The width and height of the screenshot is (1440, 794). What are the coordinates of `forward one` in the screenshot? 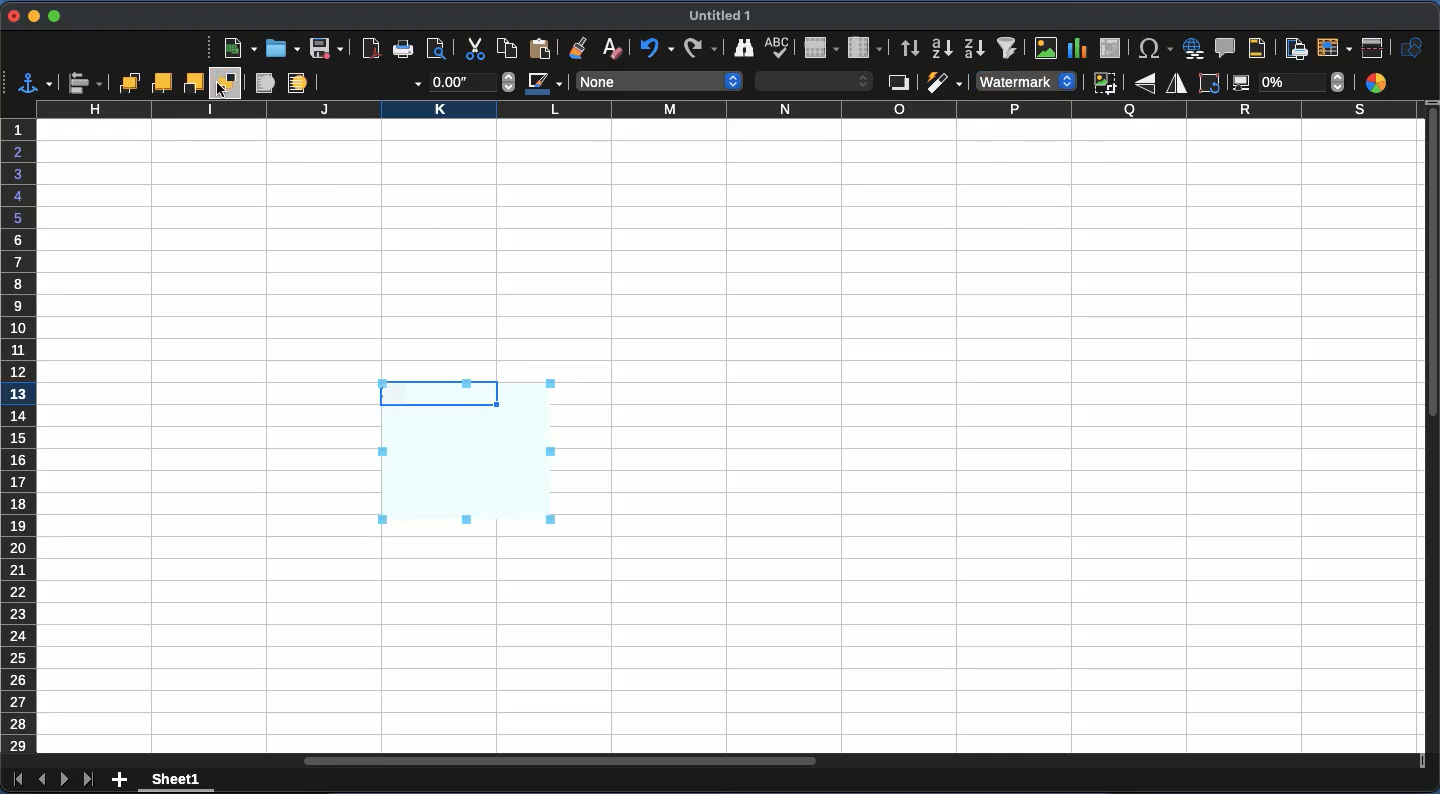 It's located at (164, 82).